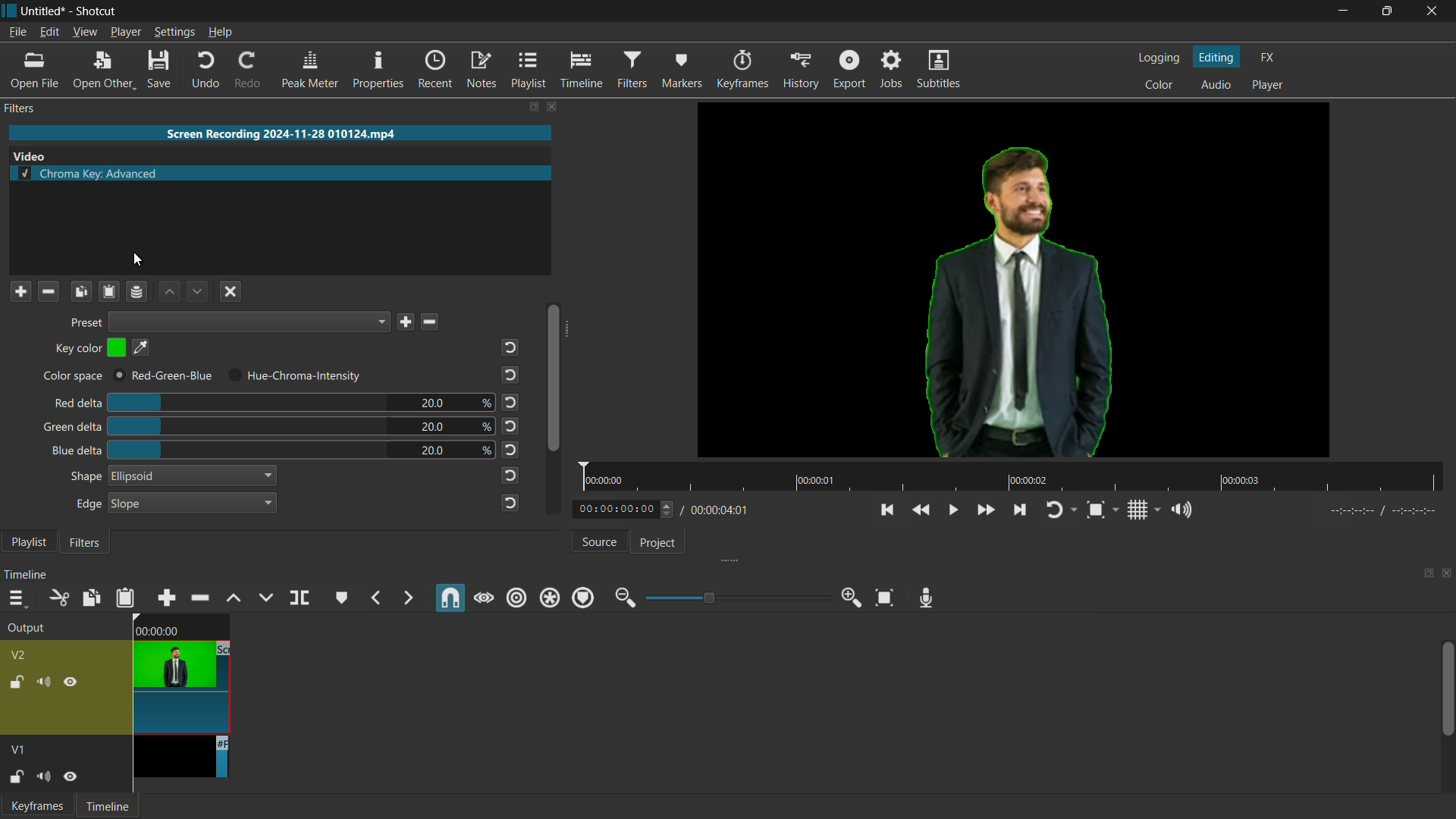 This screenshot has width=1456, height=819. What do you see at coordinates (846, 71) in the screenshot?
I see `export` at bounding box center [846, 71].